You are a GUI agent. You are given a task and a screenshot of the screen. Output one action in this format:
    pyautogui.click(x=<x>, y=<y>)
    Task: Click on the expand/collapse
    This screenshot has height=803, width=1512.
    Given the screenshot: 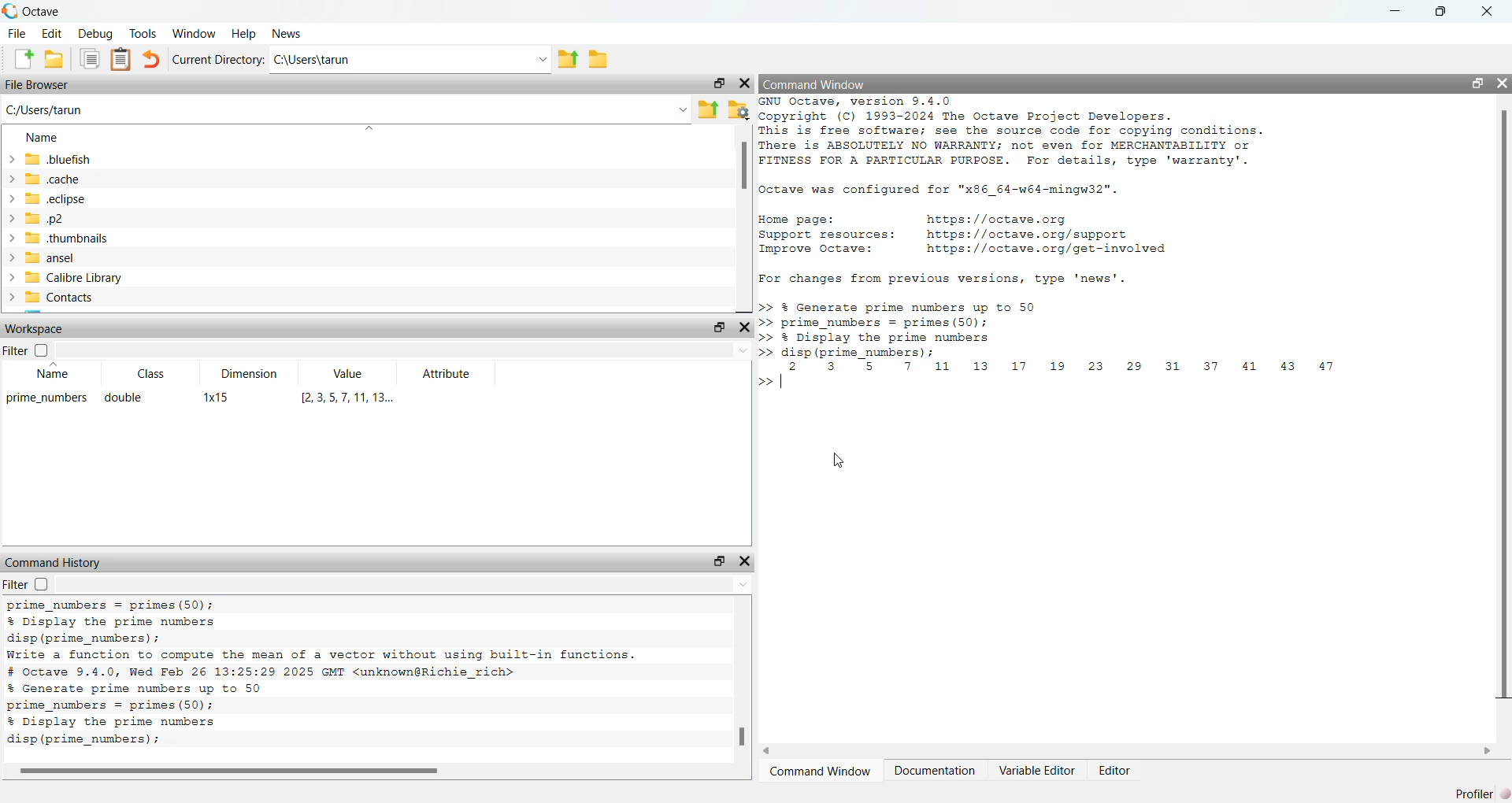 What is the action you would take?
    pyautogui.click(x=12, y=228)
    